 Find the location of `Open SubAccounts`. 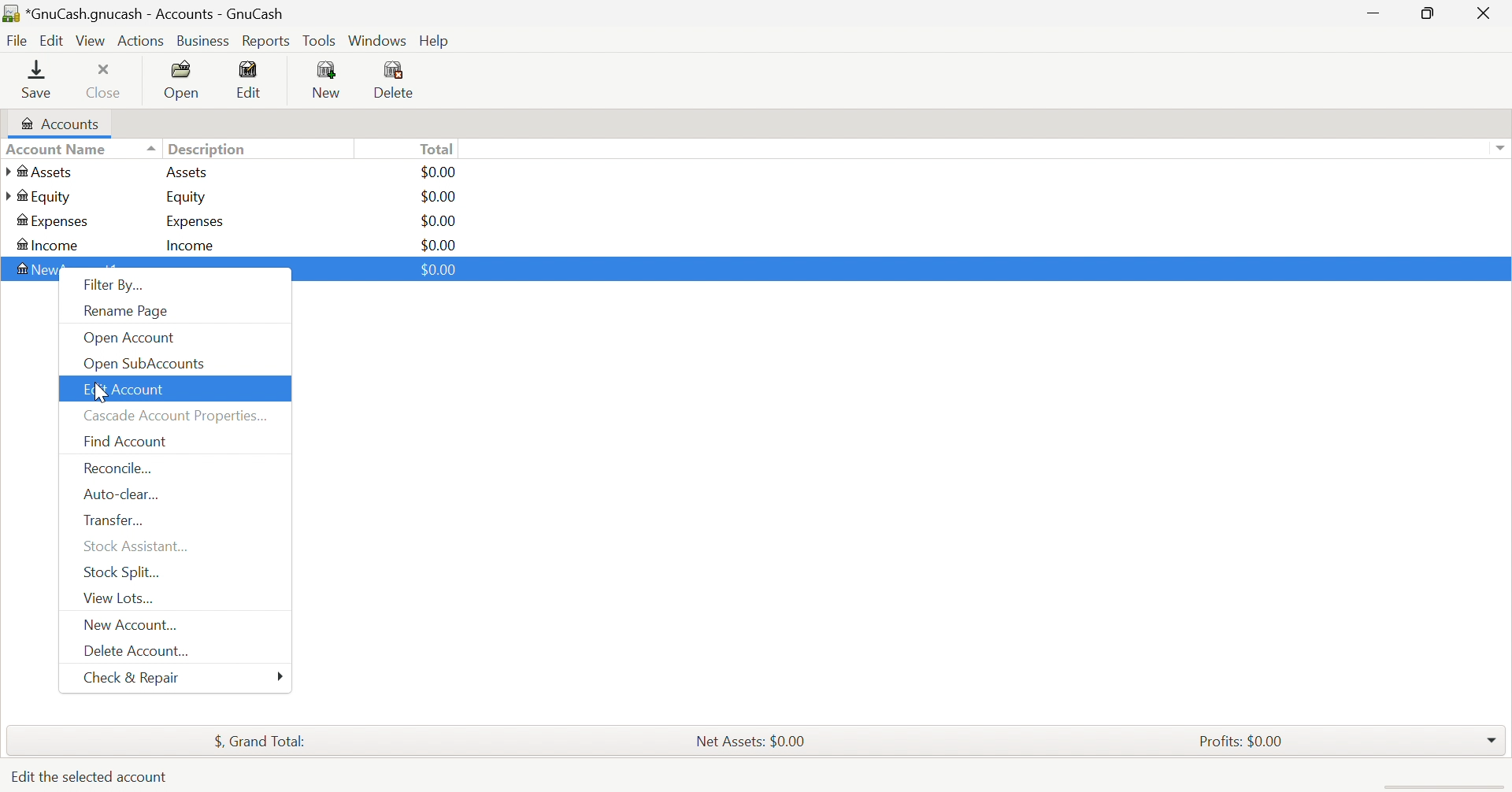

Open SubAccounts is located at coordinates (146, 363).